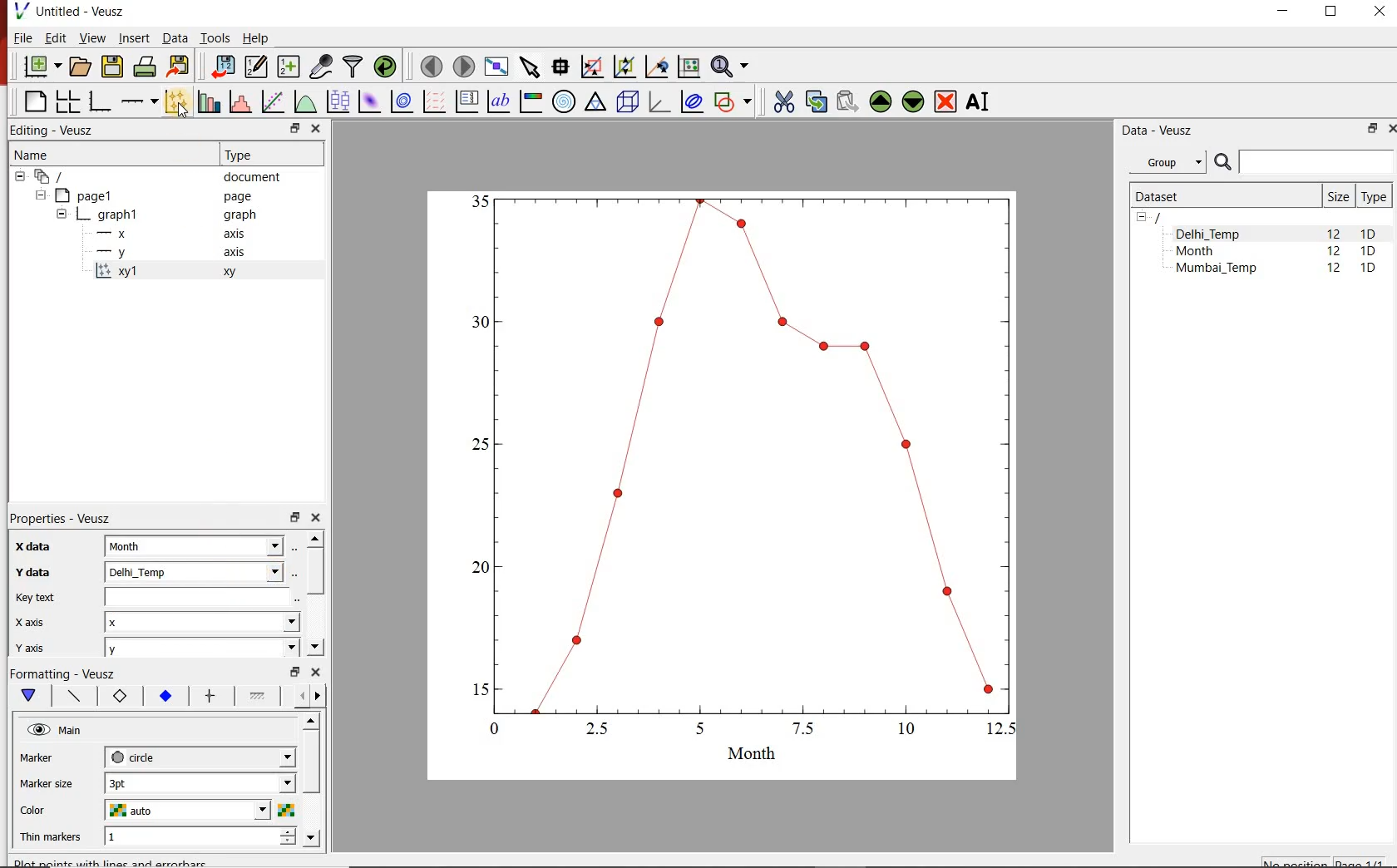  What do you see at coordinates (1216, 269) in the screenshot?
I see `Mumbai_Temp` at bounding box center [1216, 269].